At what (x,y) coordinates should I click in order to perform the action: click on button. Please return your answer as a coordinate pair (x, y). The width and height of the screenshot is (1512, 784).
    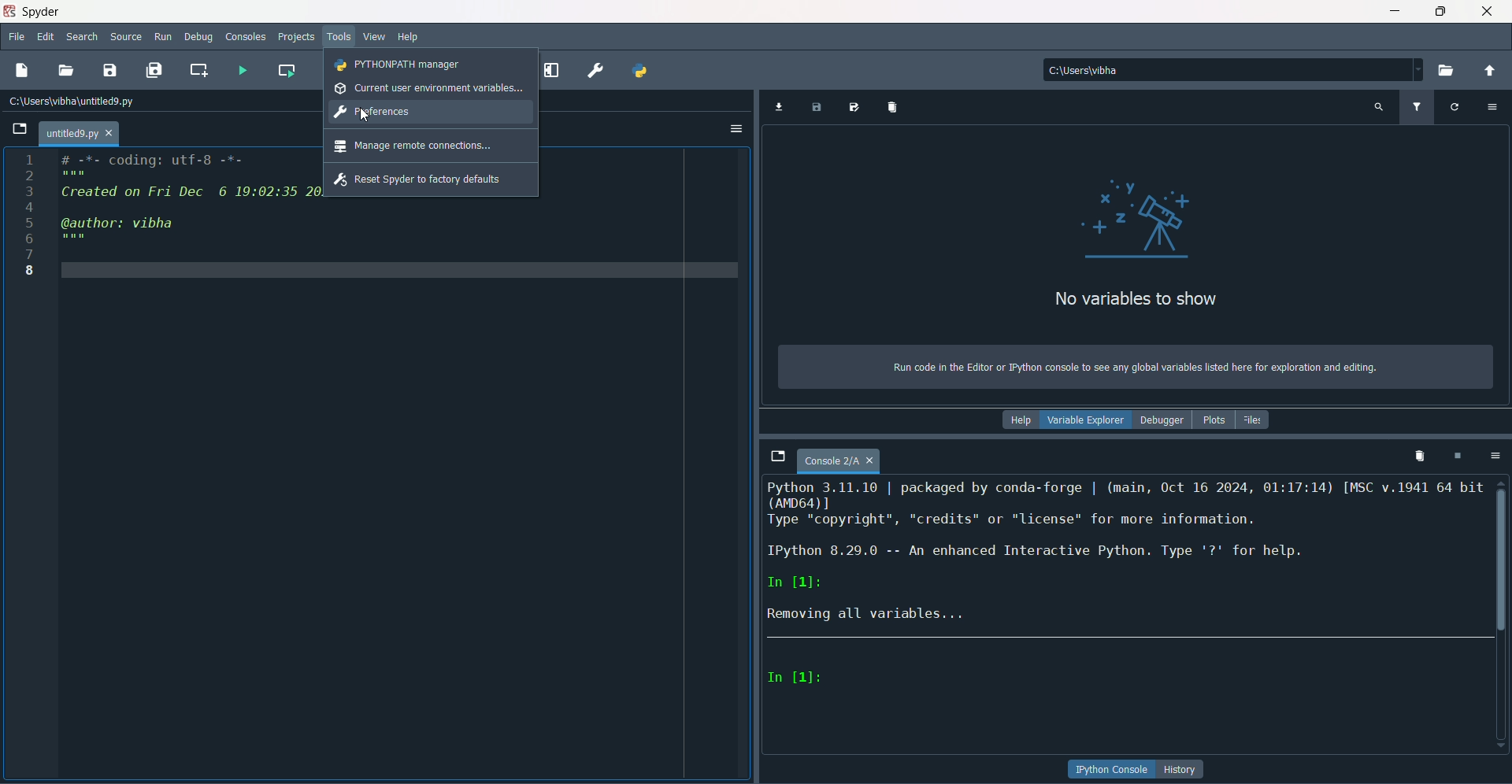
    Looking at the image, I should click on (1112, 770).